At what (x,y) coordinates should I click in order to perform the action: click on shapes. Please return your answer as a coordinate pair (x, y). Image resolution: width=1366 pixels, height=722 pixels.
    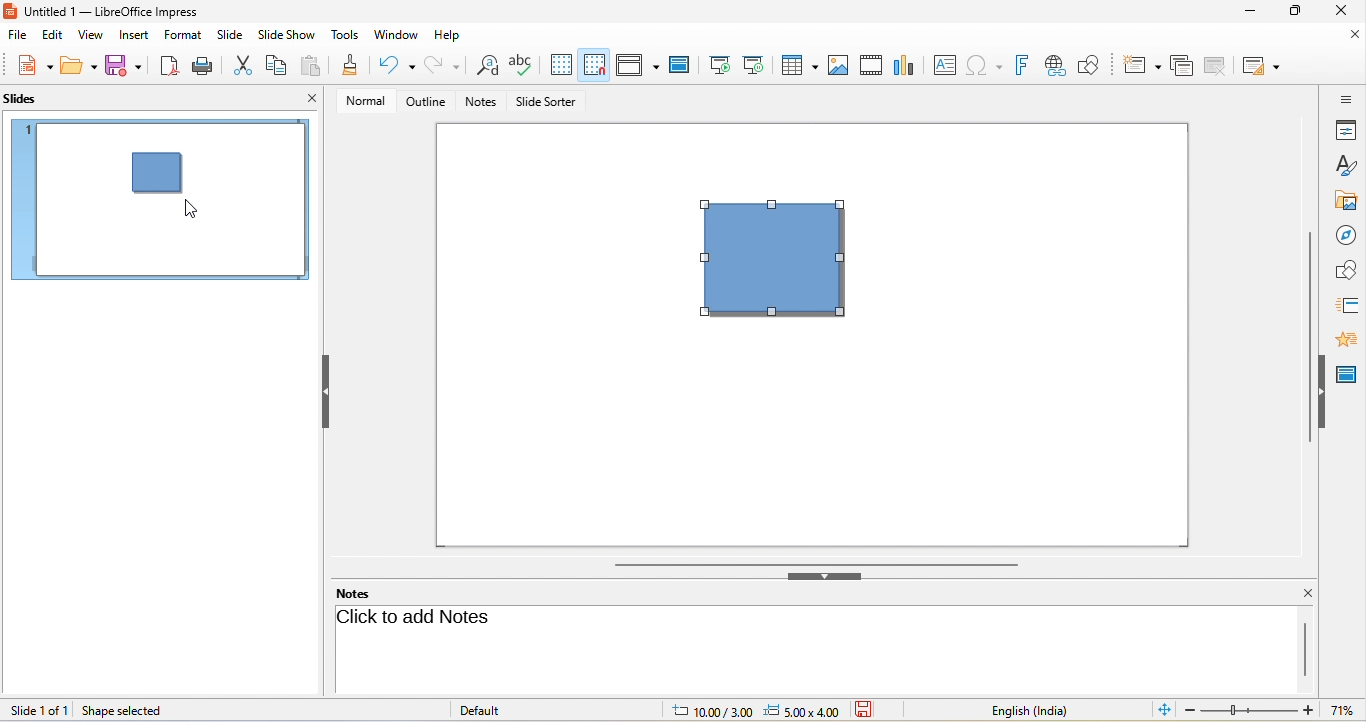
    Looking at the image, I should click on (1346, 269).